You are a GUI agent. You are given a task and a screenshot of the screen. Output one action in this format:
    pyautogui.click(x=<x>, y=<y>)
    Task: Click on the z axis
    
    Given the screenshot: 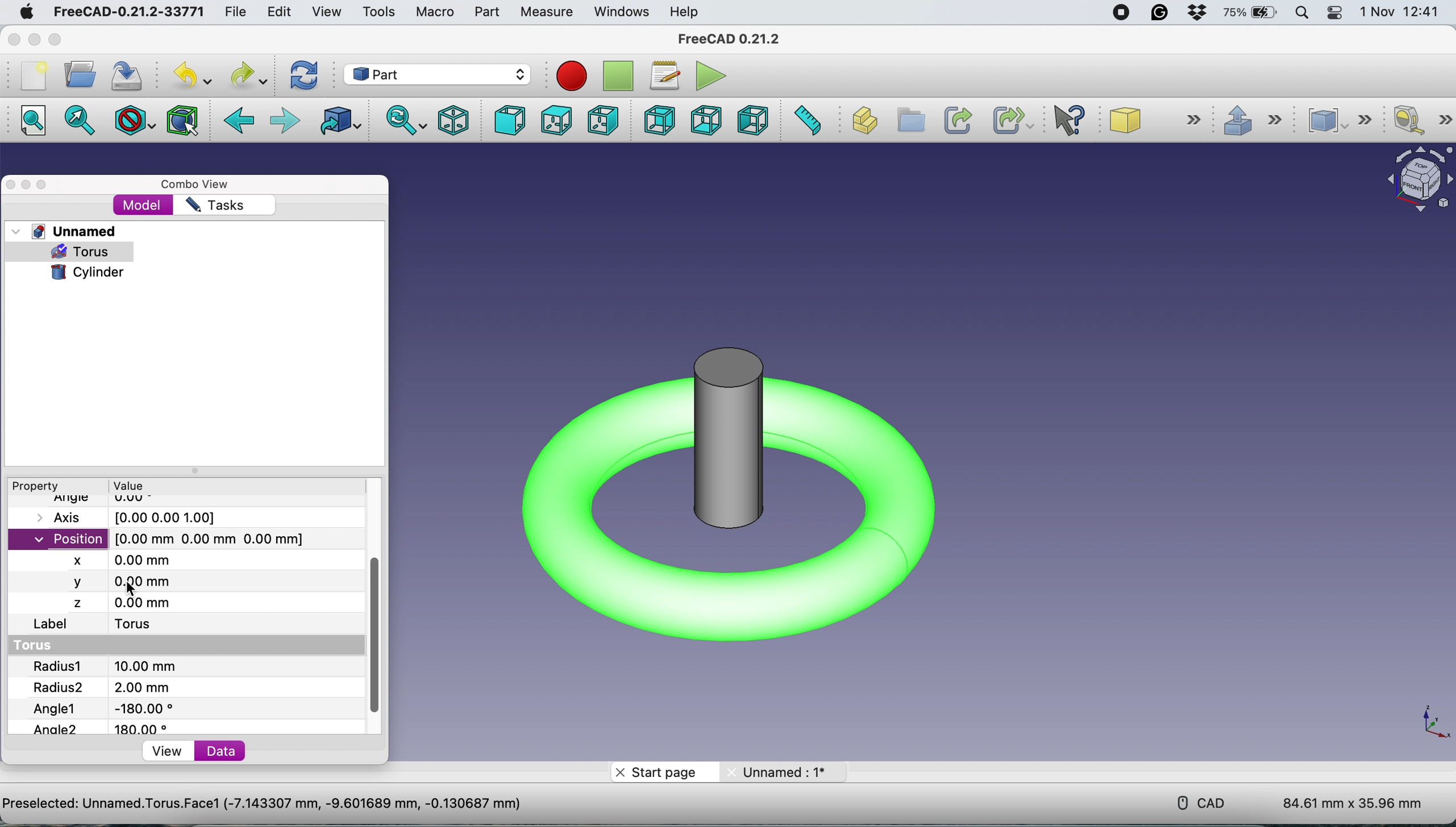 What is the action you would take?
    pyautogui.click(x=125, y=603)
    